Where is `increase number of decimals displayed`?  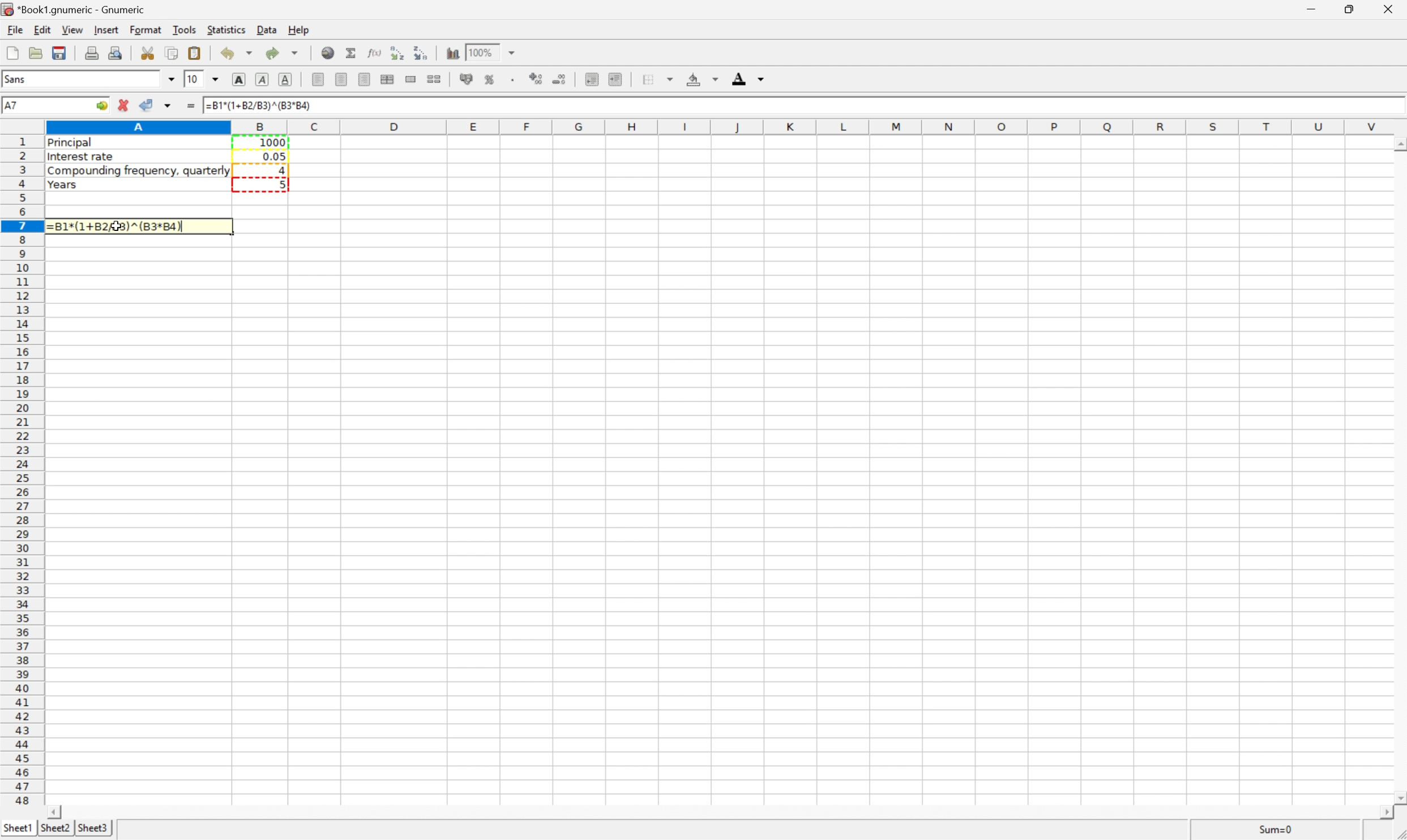
increase number of decimals displayed is located at coordinates (537, 79).